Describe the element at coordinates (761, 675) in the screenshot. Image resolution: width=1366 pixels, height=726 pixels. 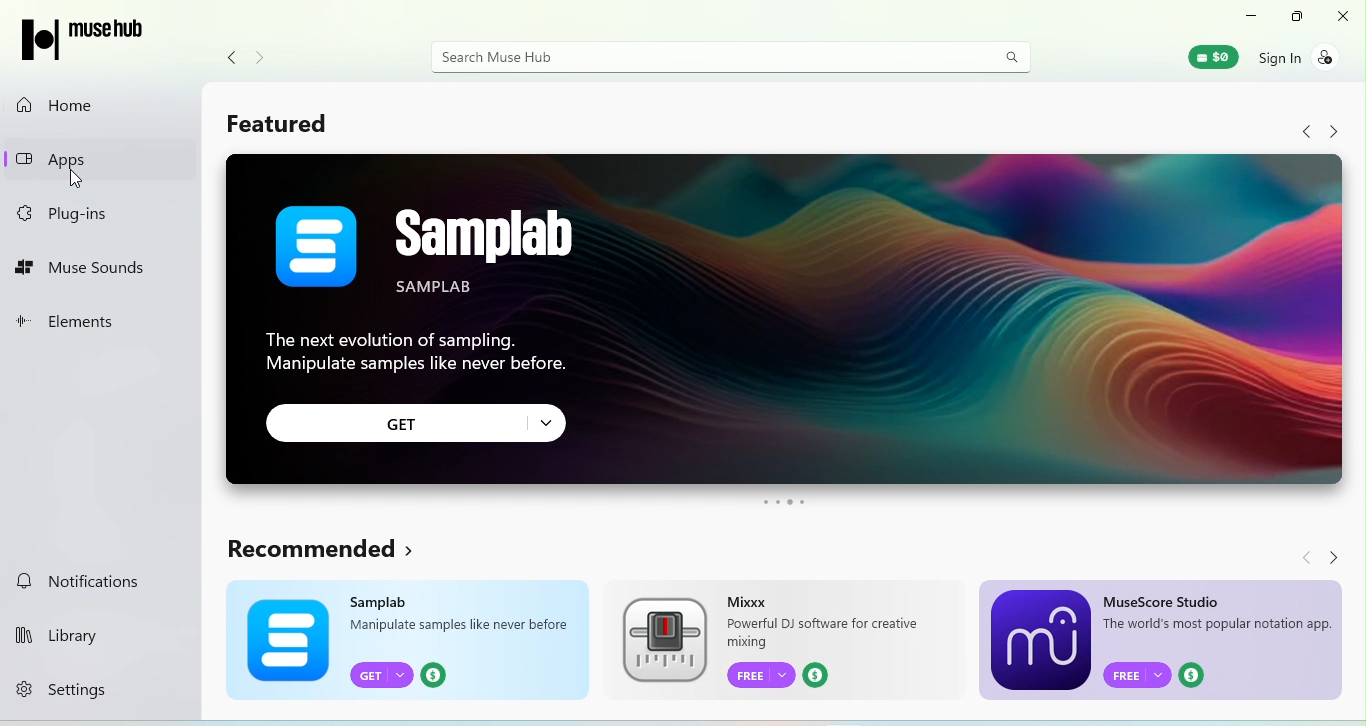
I see `FREE` at that location.